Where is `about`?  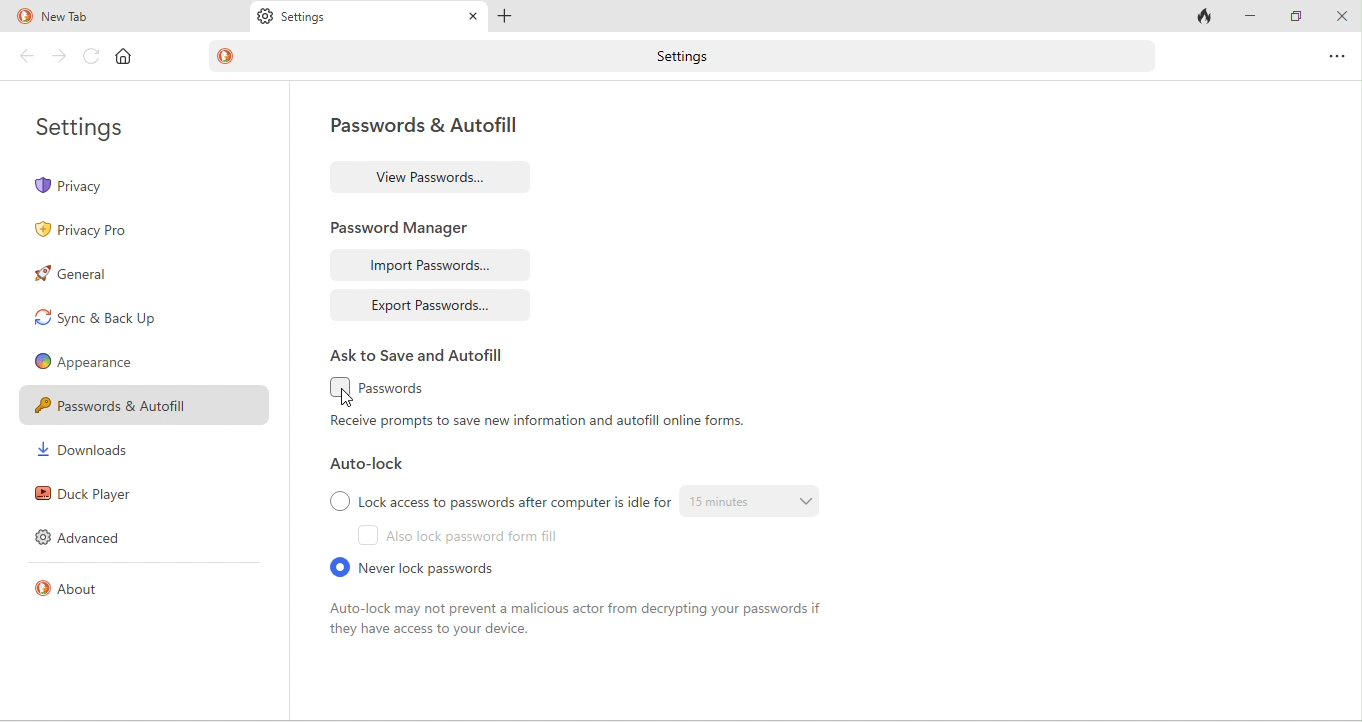
about is located at coordinates (84, 596).